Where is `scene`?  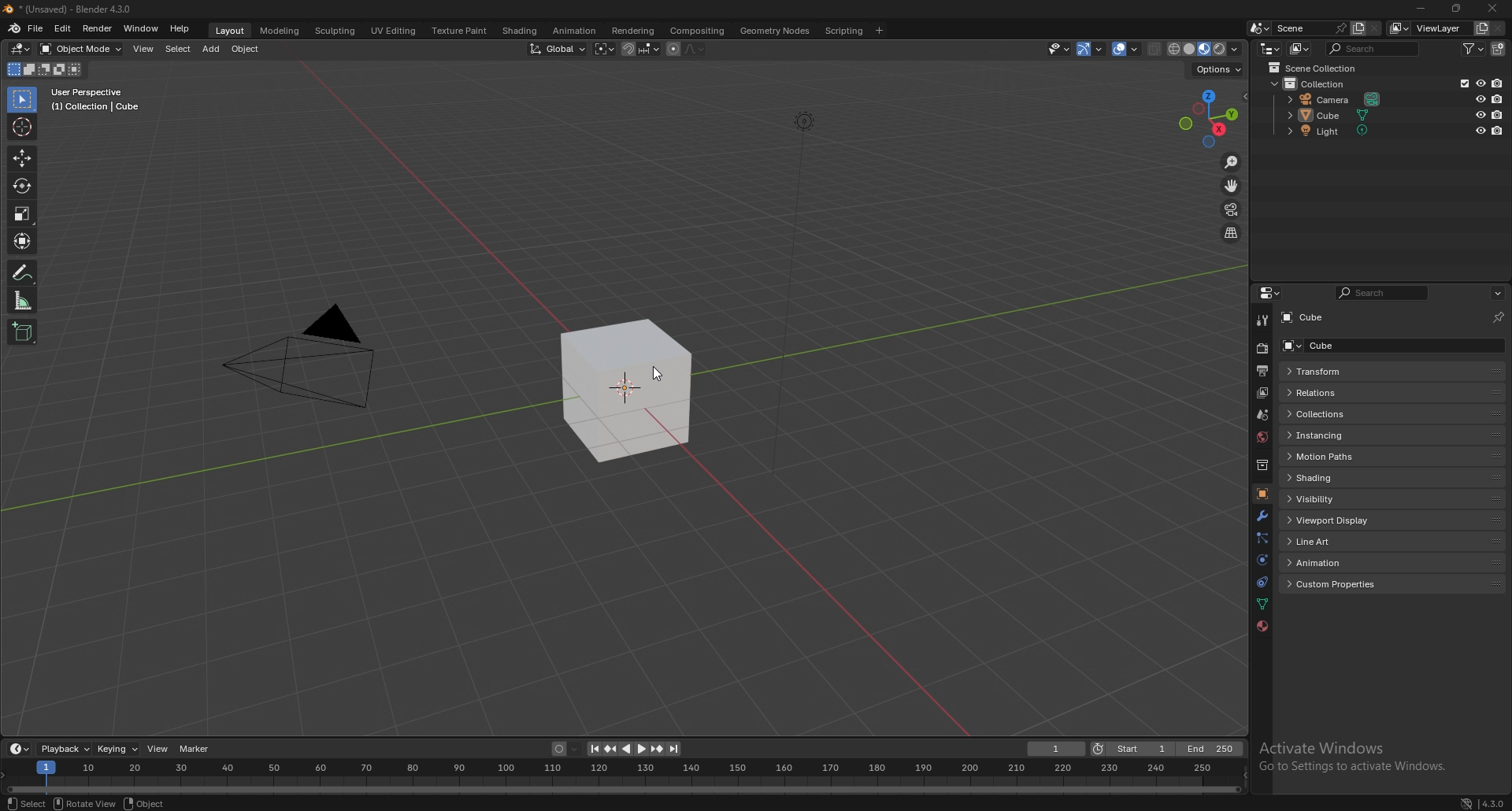
scene is located at coordinates (1309, 28).